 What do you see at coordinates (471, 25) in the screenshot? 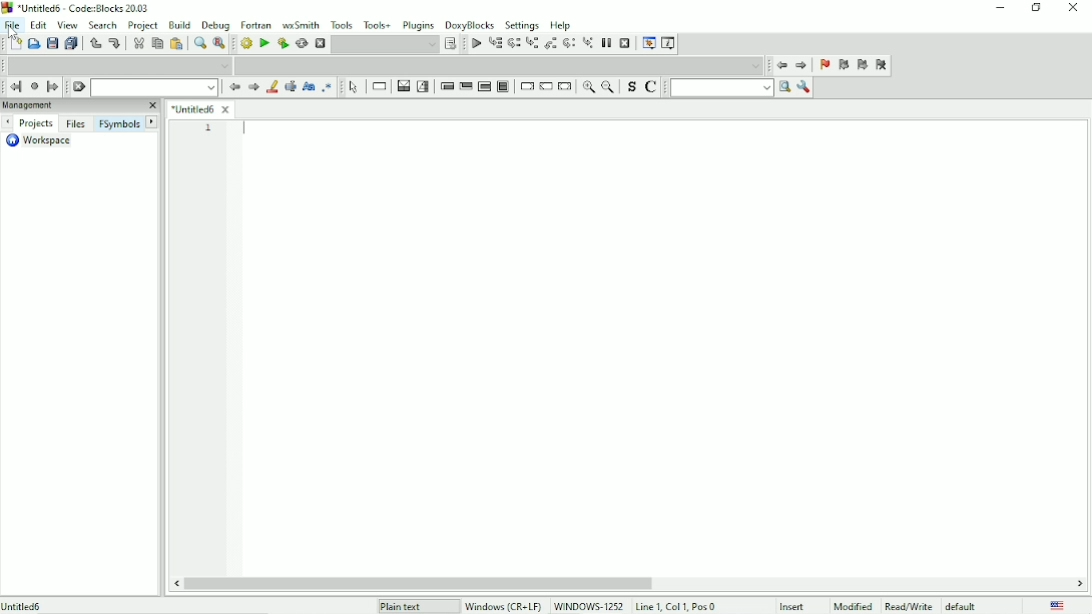
I see `DoxyBlocks` at bounding box center [471, 25].